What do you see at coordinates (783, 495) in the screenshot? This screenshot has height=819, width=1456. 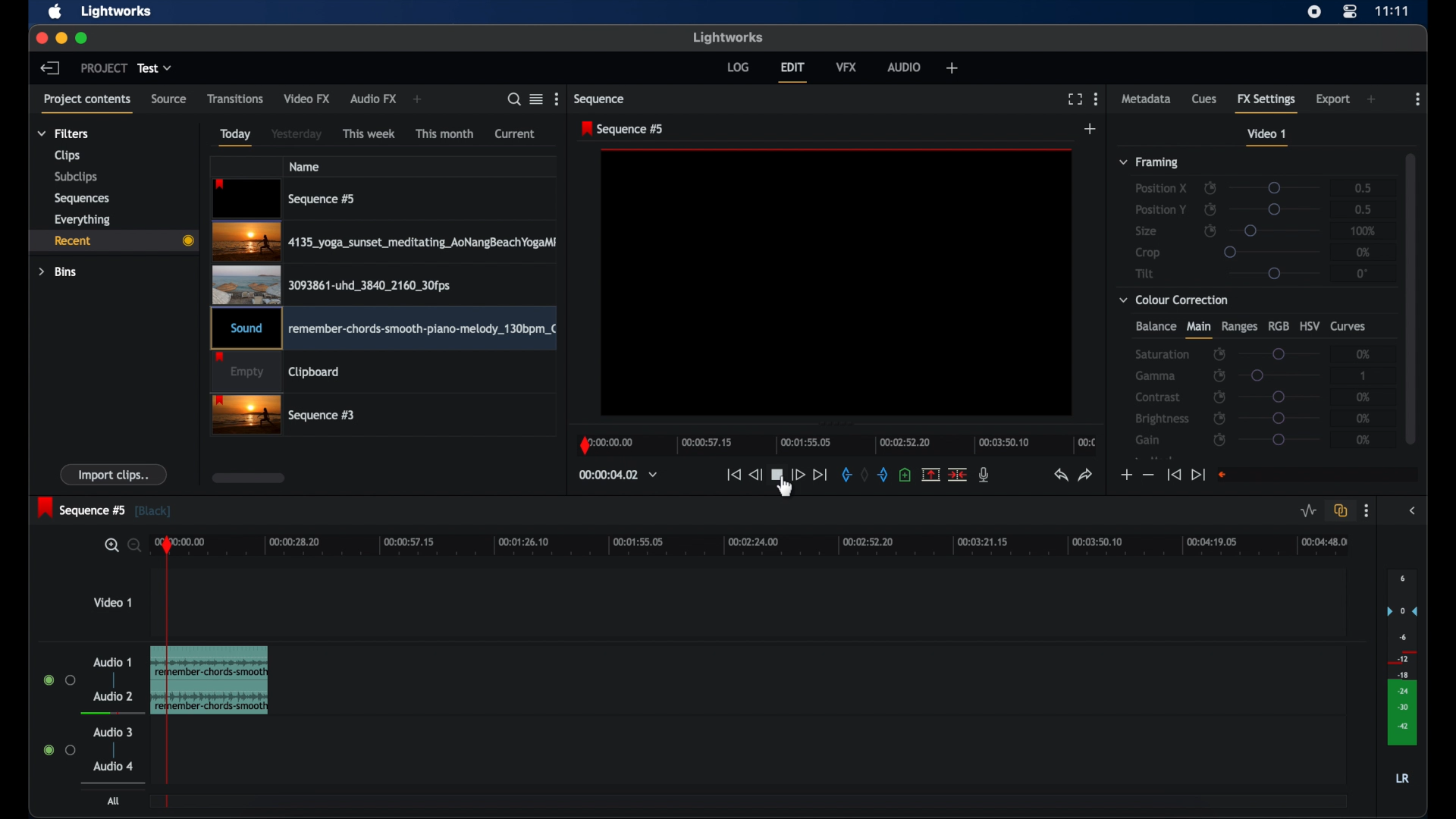 I see `cursor` at bounding box center [783, 495].